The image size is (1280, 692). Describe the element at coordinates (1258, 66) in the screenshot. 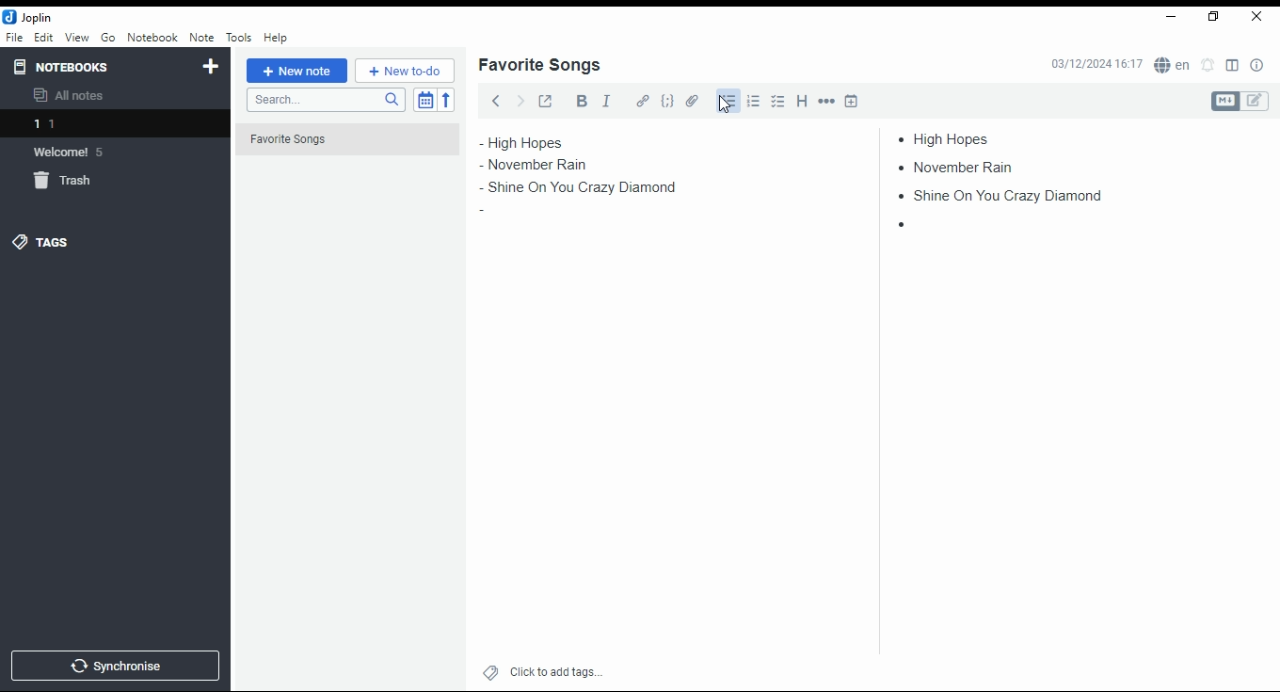

I see `note properties` at that location.